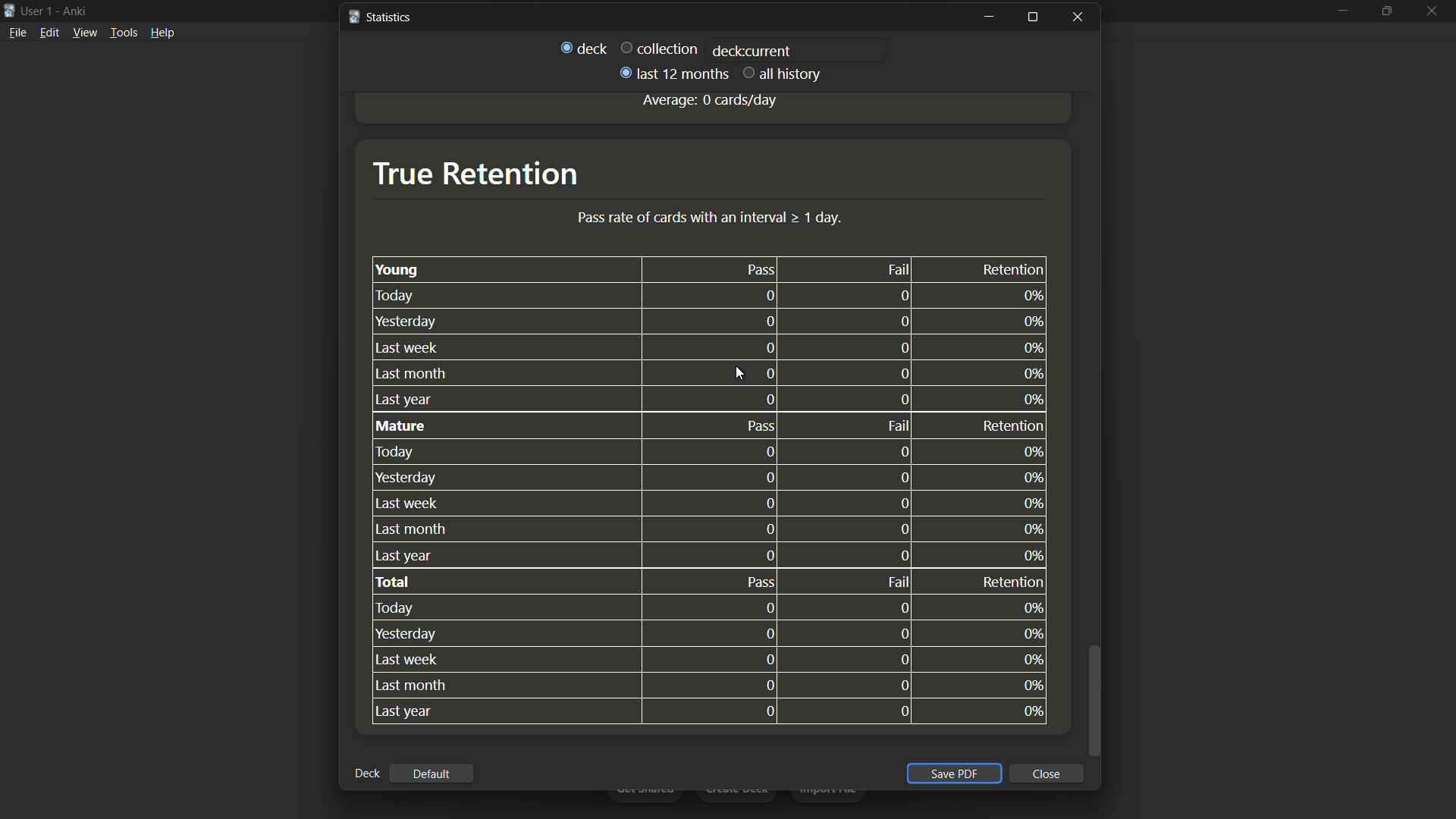 Image resolution: width=1456 pixels, height=819 pixels. What do you see at coordinates (1433, 11) in the screenshot?
I see `close app` at bounding box center [1433, 11].